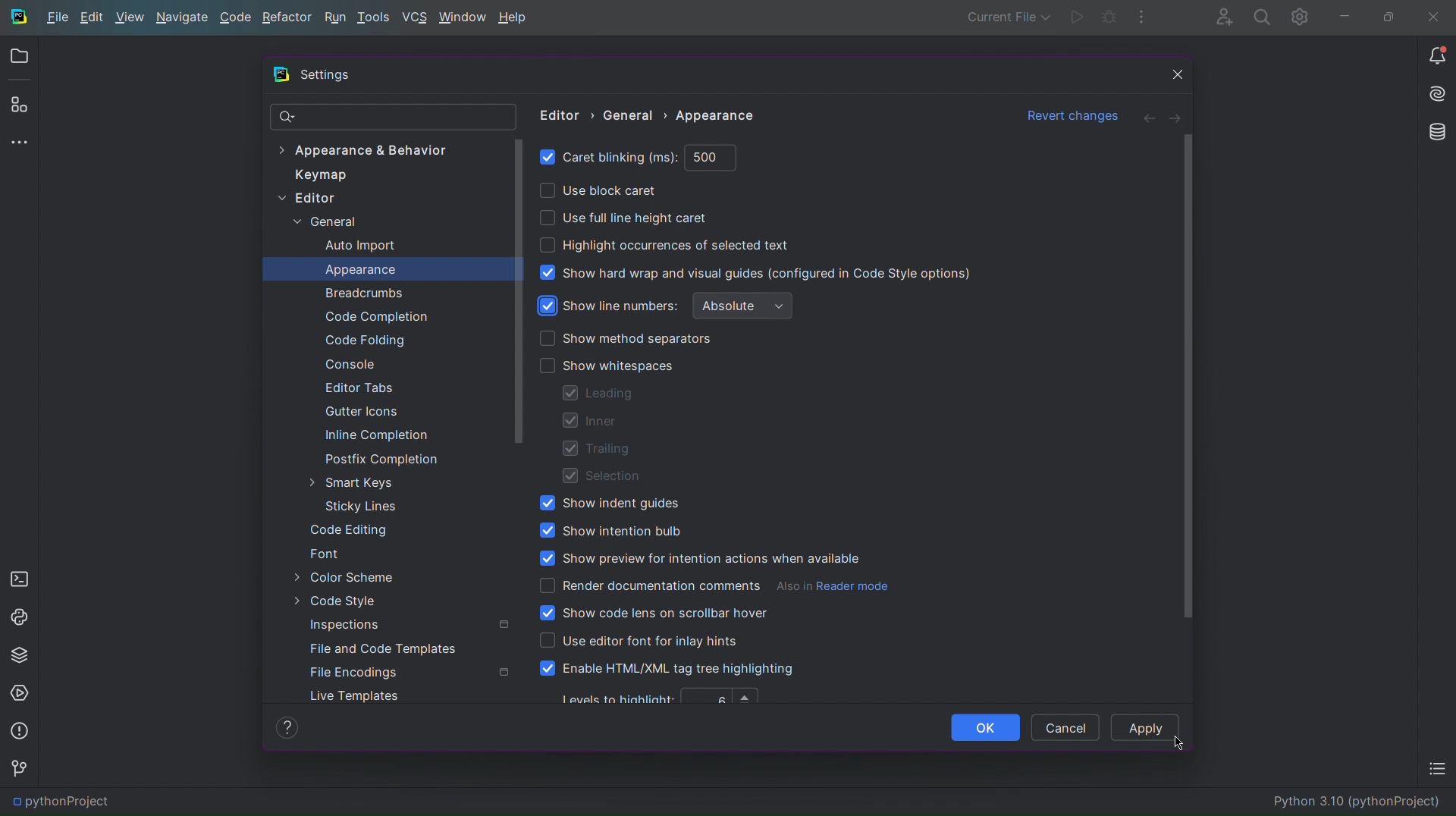 The height and width of the screenshot is (816, 1456). What do you see at coordinates (628, 338) in the screenshot?
I see `Show method separators` at bounding box center [628, 338].